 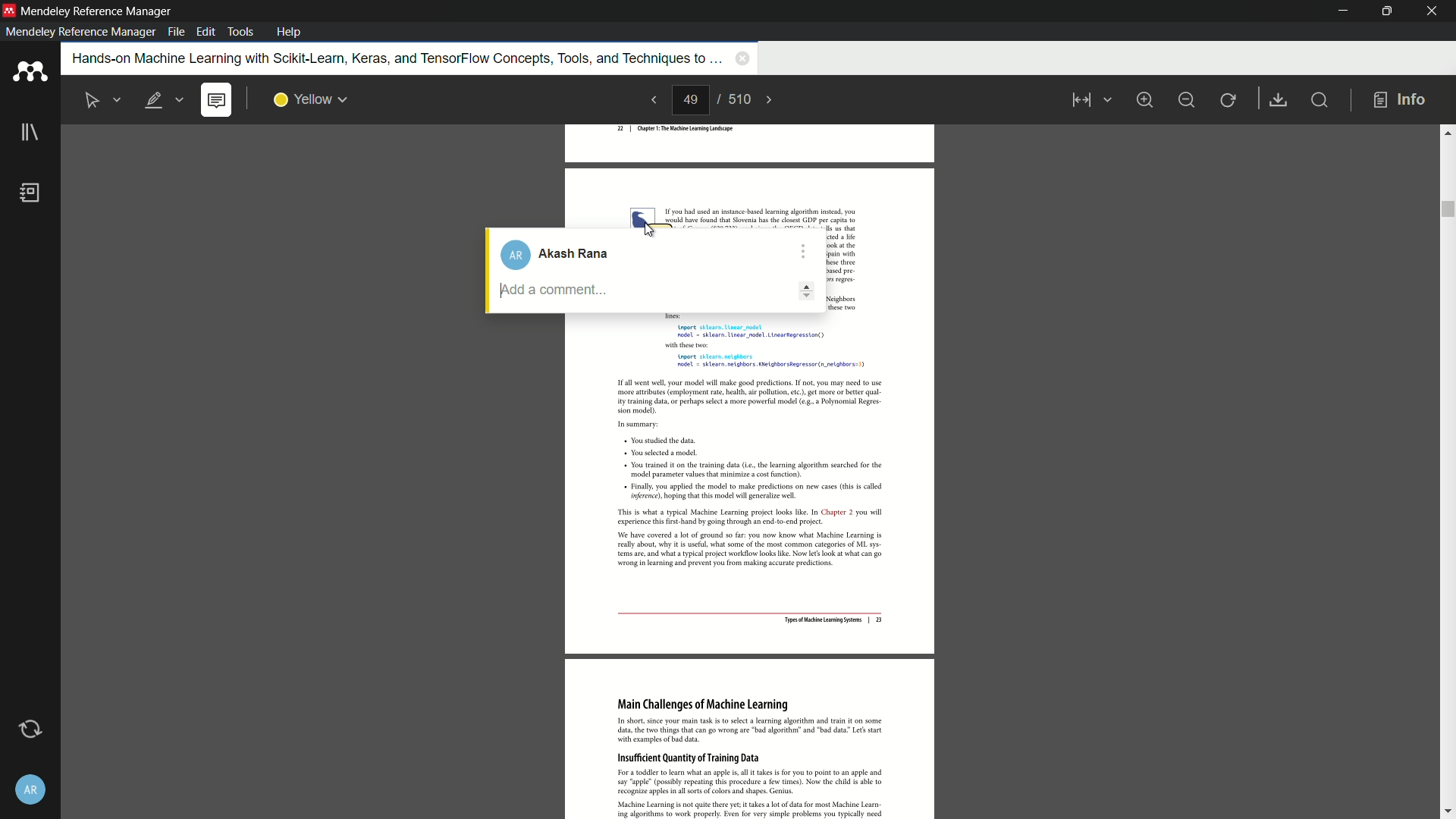 What do you see at coordinates (1432, 11) in the screenshot?
I see `close app` at bounding box center [1432, 11].